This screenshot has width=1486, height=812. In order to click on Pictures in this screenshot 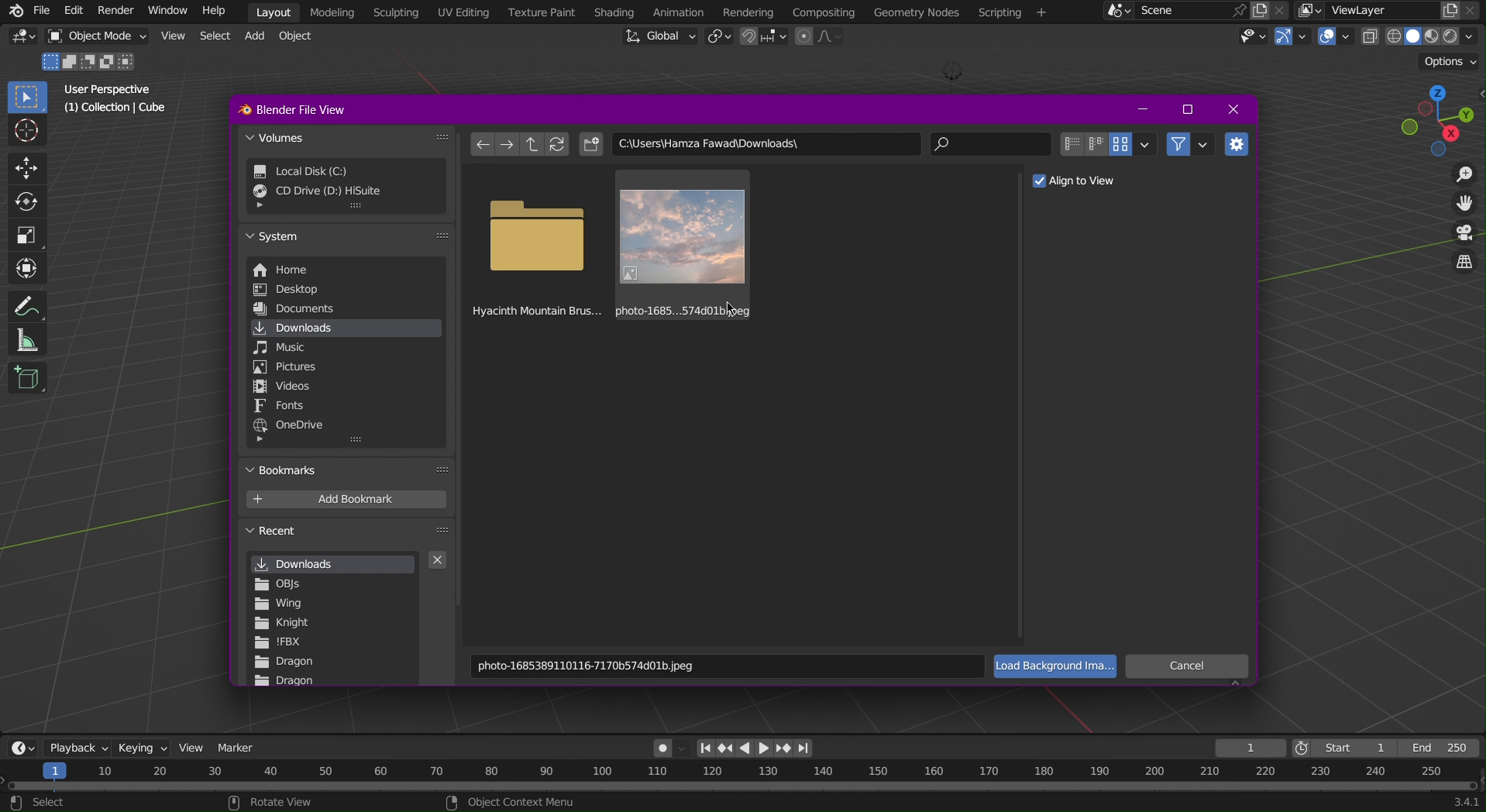, I will do `click(284, 367)`.